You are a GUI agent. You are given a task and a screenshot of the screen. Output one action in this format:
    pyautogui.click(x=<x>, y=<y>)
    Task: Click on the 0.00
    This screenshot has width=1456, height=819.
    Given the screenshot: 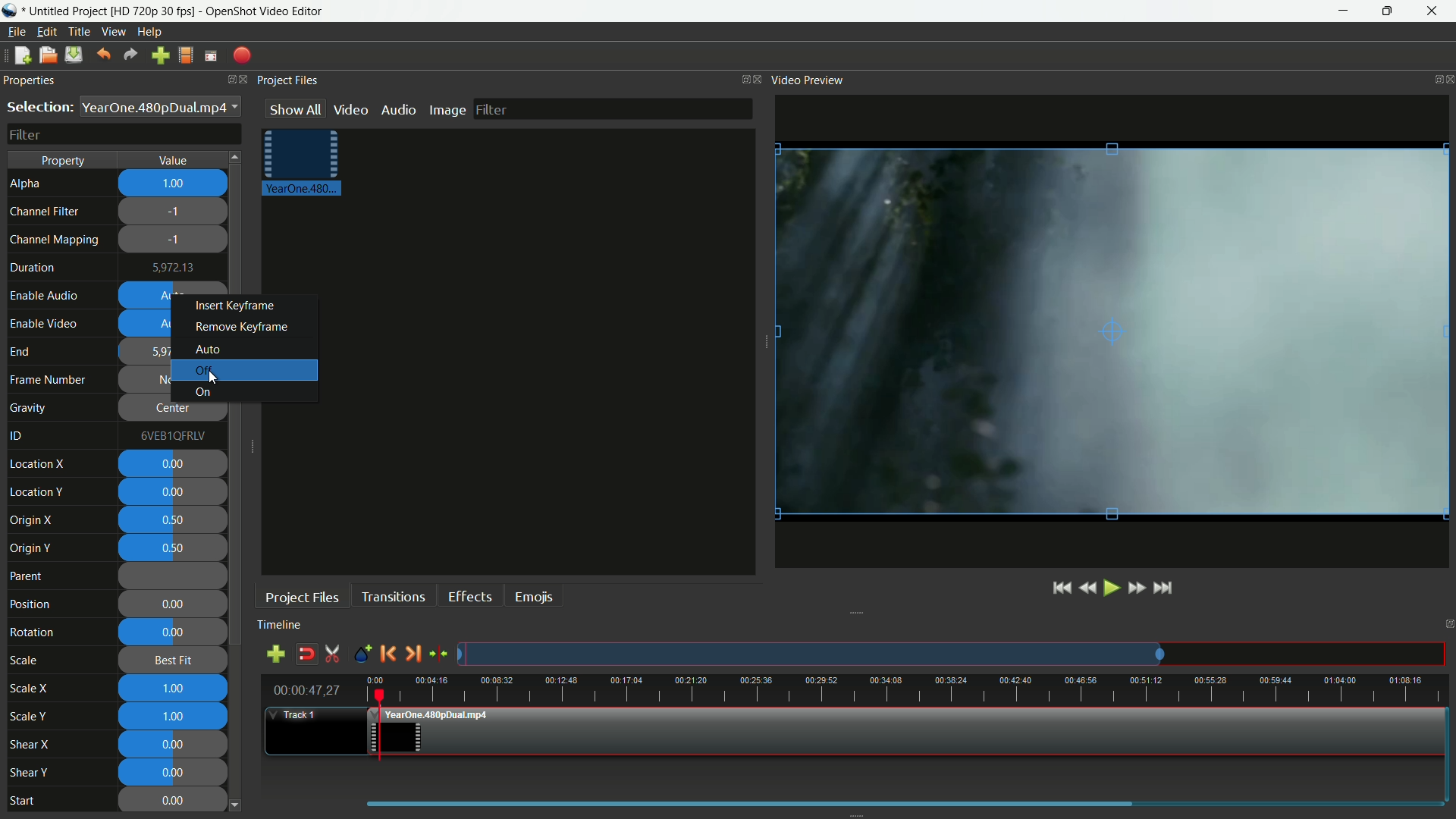 What is the action you would take?
    pyautogui.click(x=172, y=633)
    